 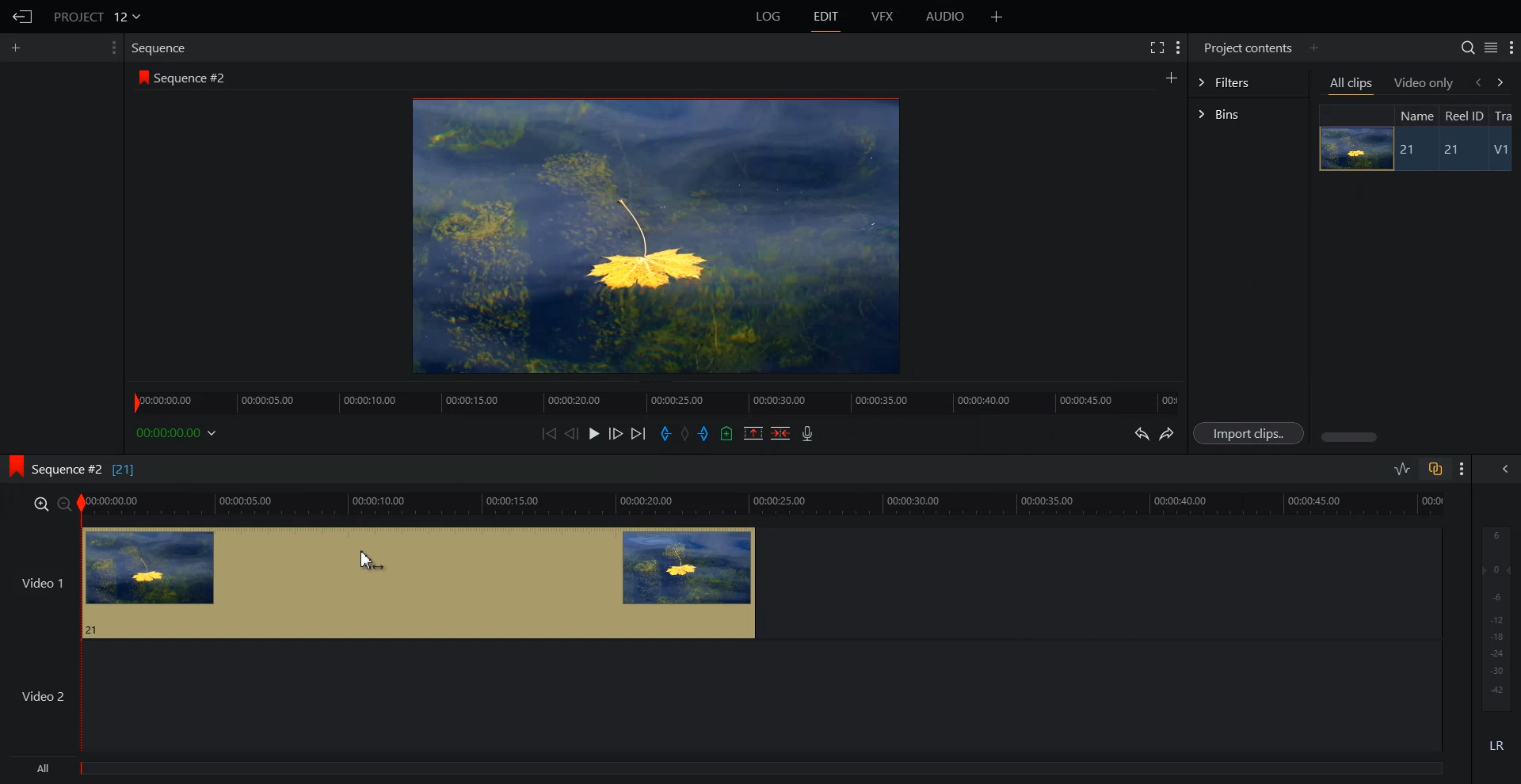 What do you see at coordinates (1424, 82) in the screenshot?
I see `Video only` at bounding box center [1424, 82].